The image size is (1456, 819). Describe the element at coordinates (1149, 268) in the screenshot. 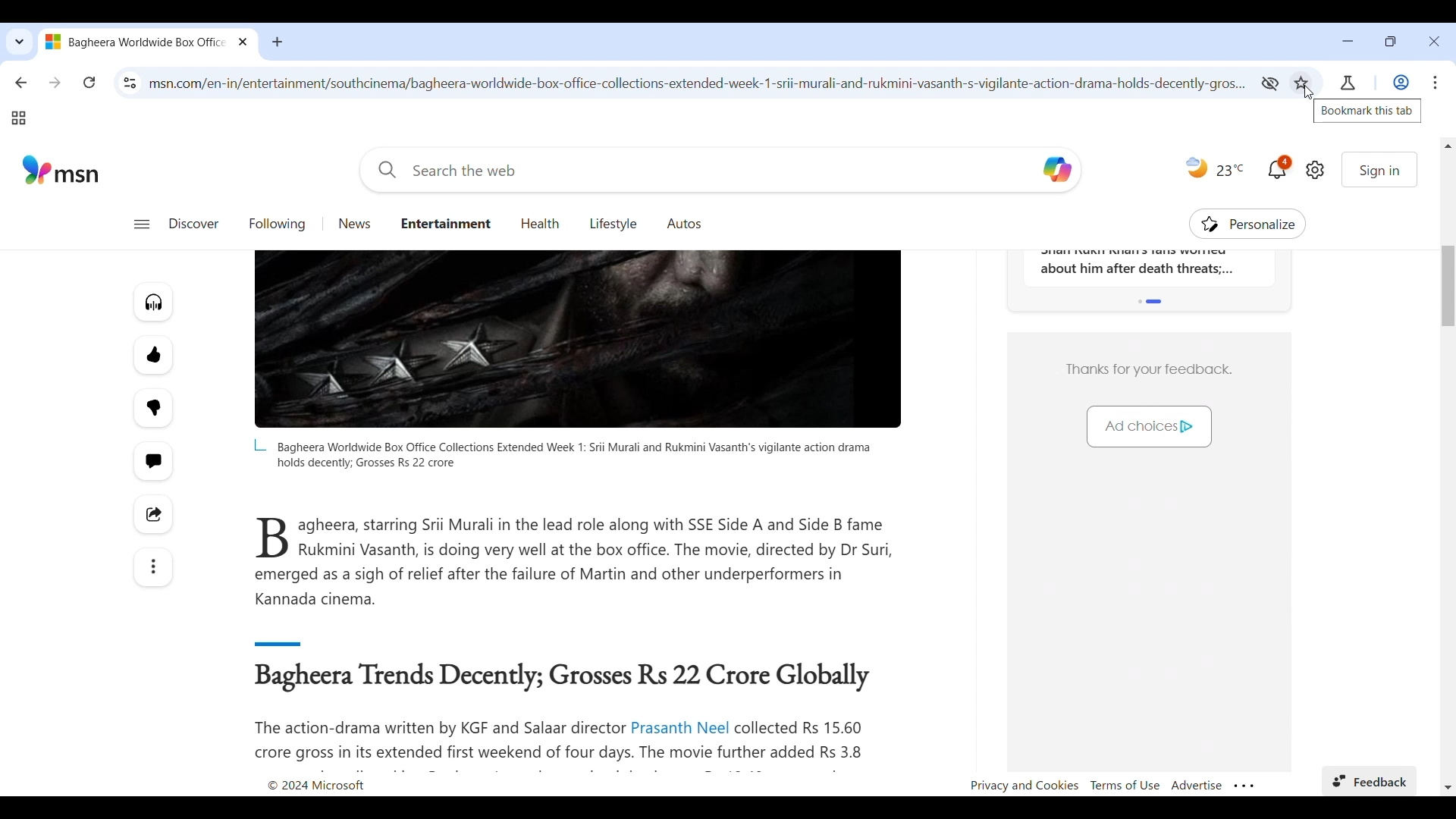

I see `Trending news section` at that location.